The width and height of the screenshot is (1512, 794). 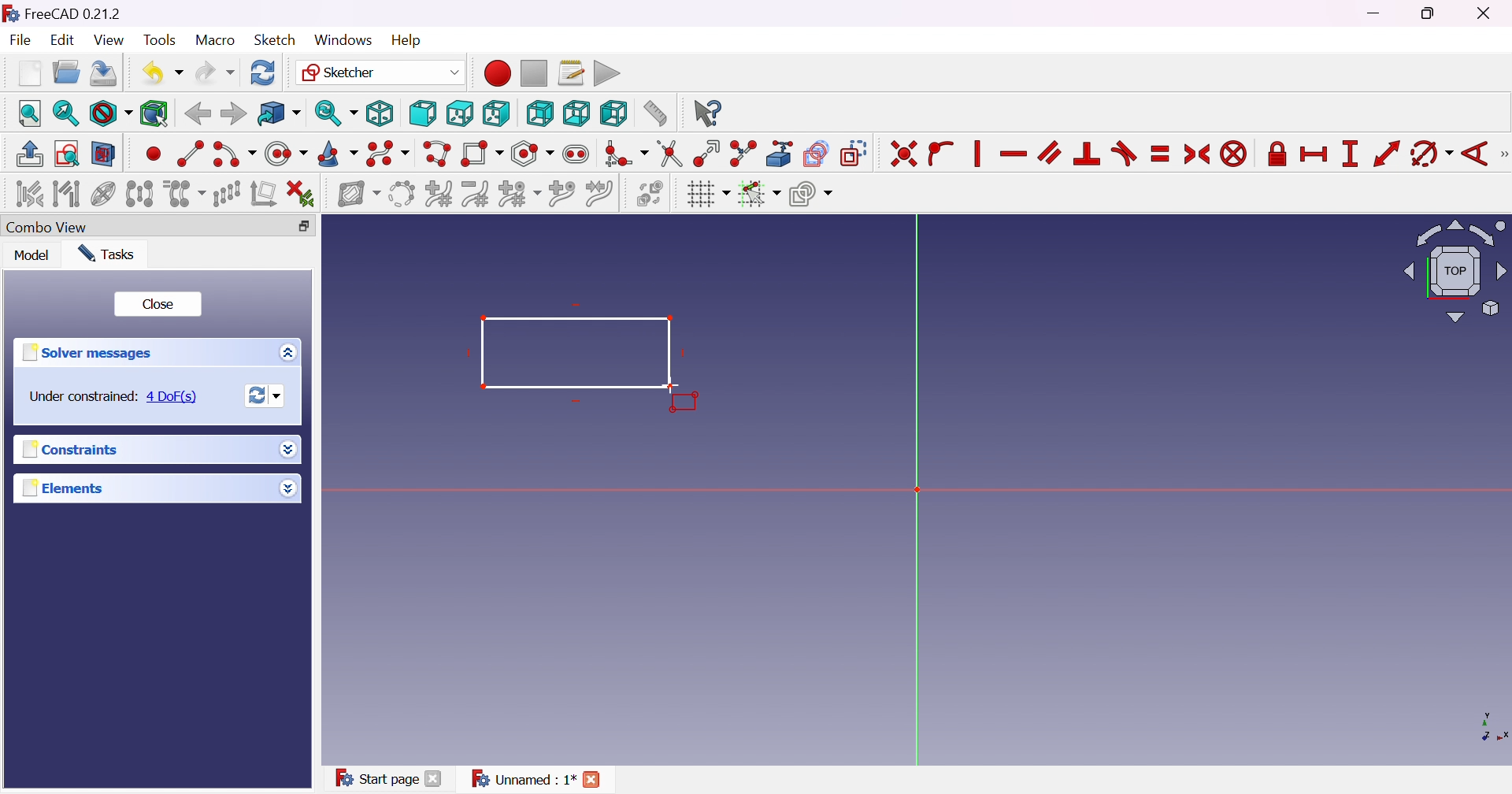 I want to click on Create slot, so click(x=578, y=154).